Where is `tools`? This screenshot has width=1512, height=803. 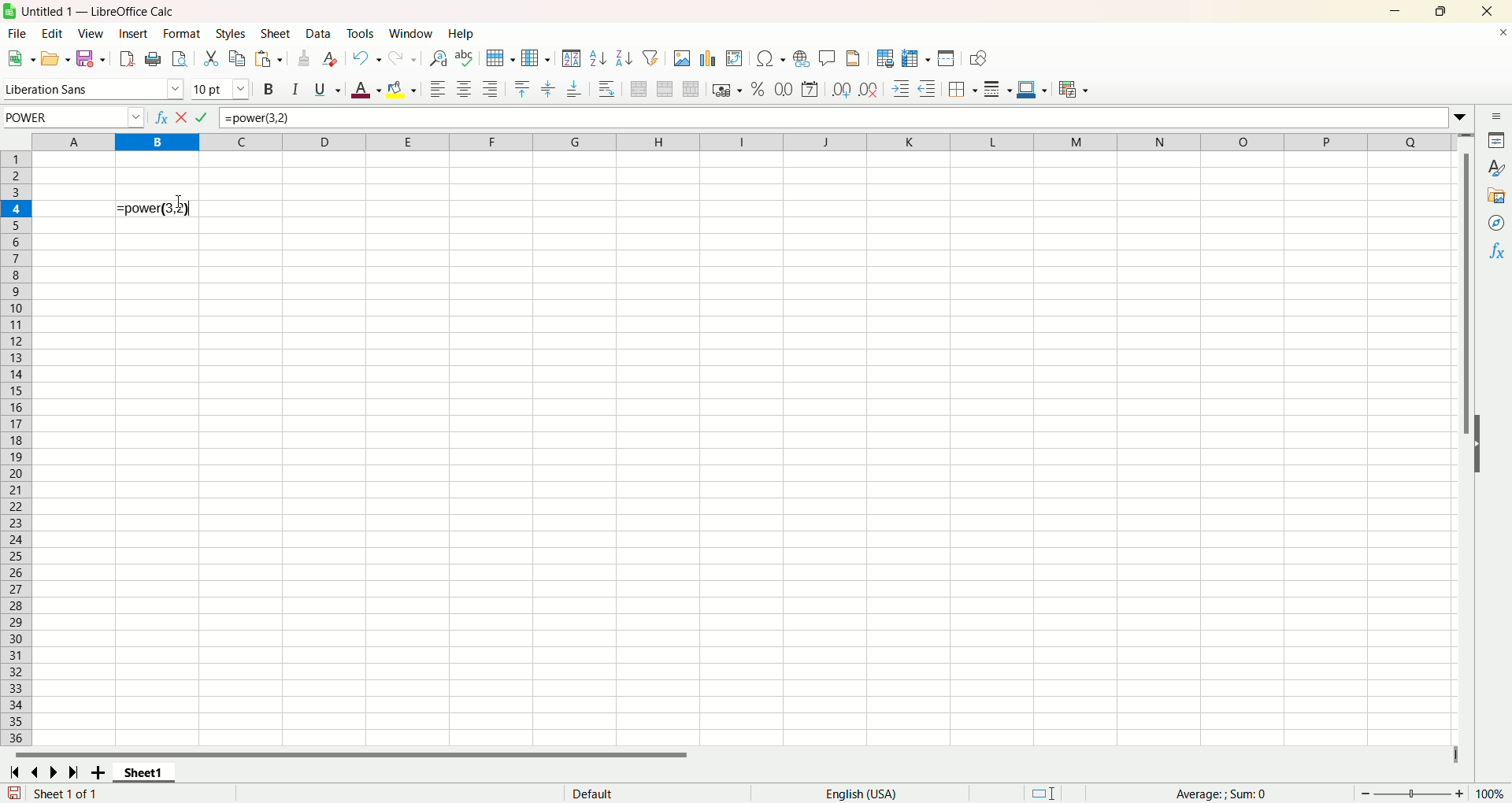 tools is located at coordinates (364, 34).